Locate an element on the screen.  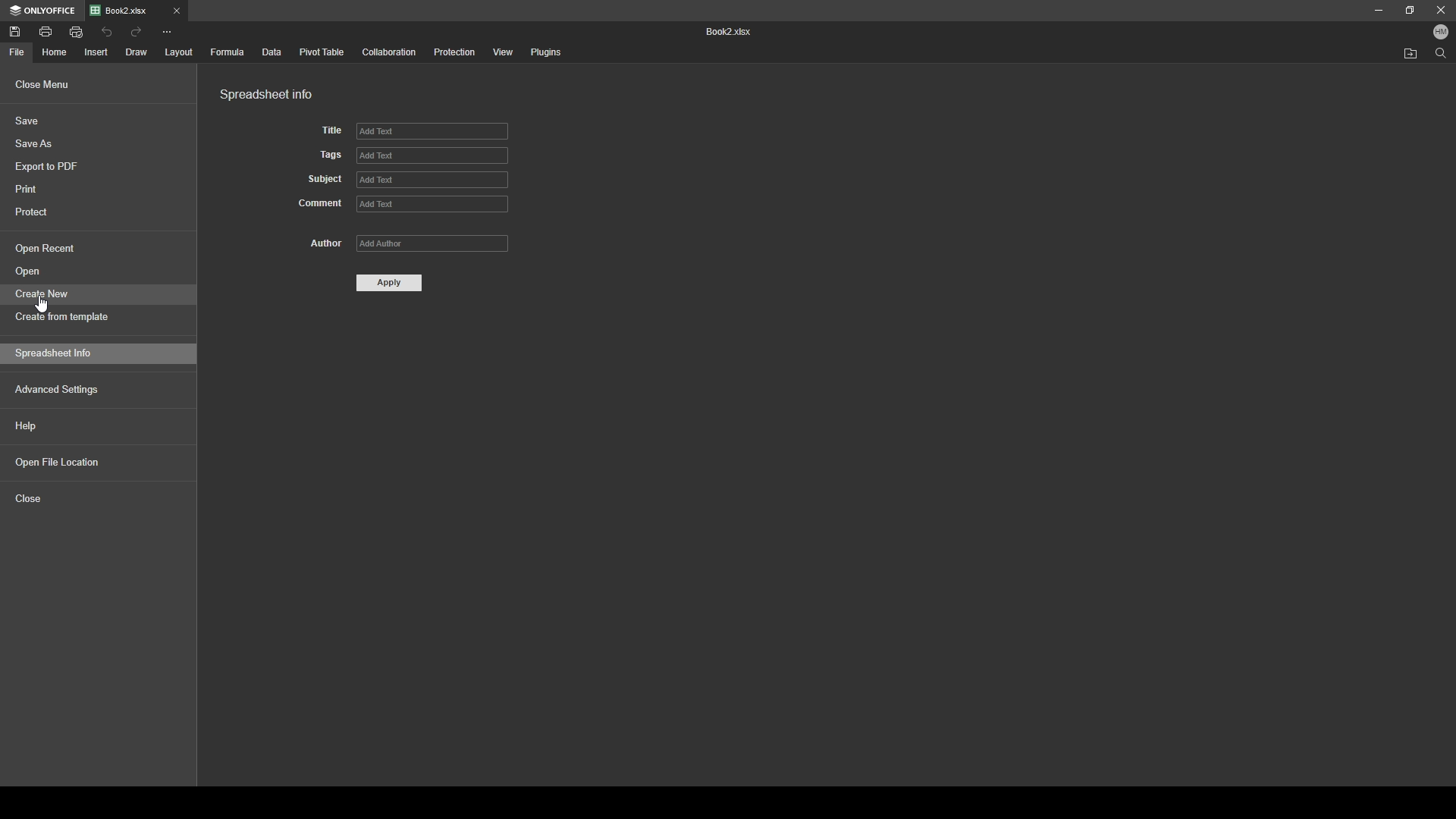
close is located at coordinates (95, 497).